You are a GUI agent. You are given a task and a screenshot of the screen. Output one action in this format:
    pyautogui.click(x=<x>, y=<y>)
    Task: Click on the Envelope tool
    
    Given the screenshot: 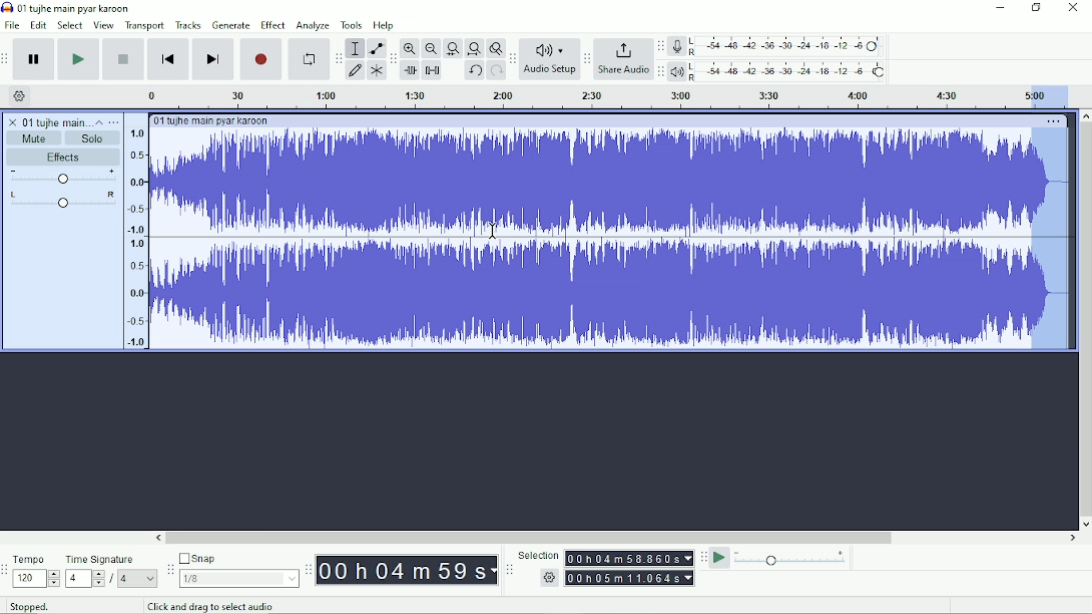 What is the action you would take?
    pyautogui.click(x=376, y=49)
    